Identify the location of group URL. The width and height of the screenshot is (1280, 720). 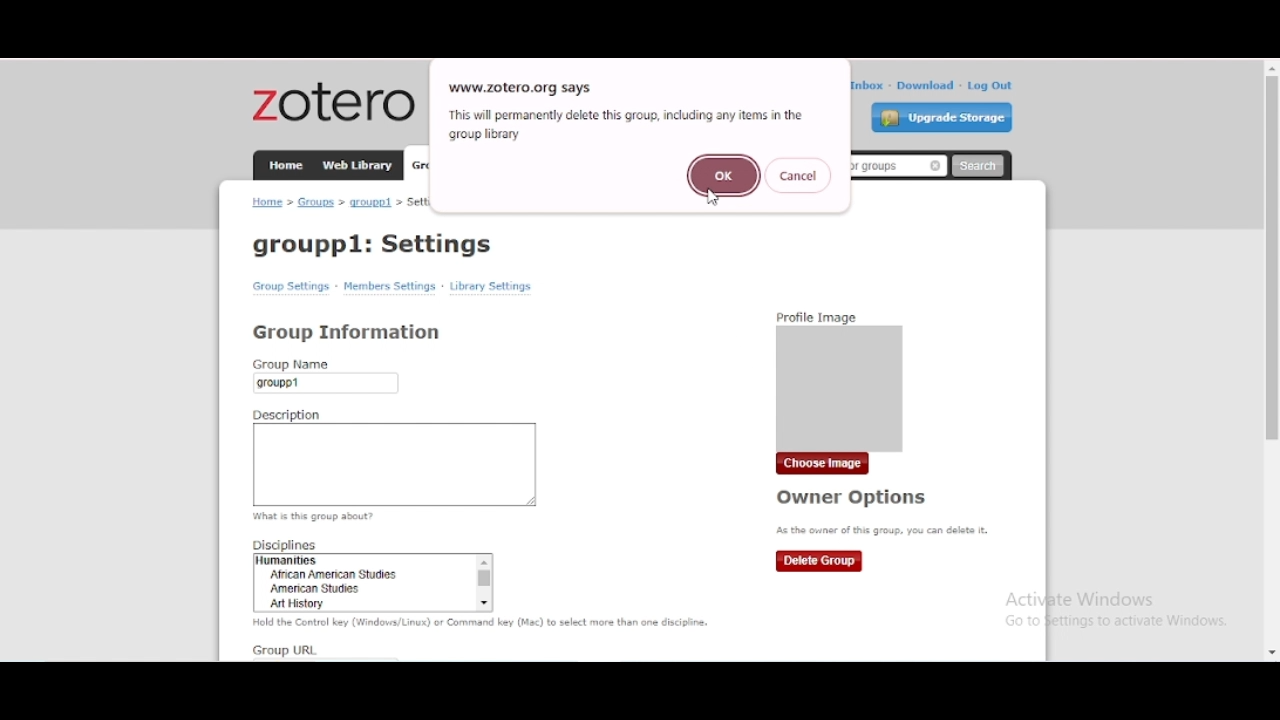
(284, 651).